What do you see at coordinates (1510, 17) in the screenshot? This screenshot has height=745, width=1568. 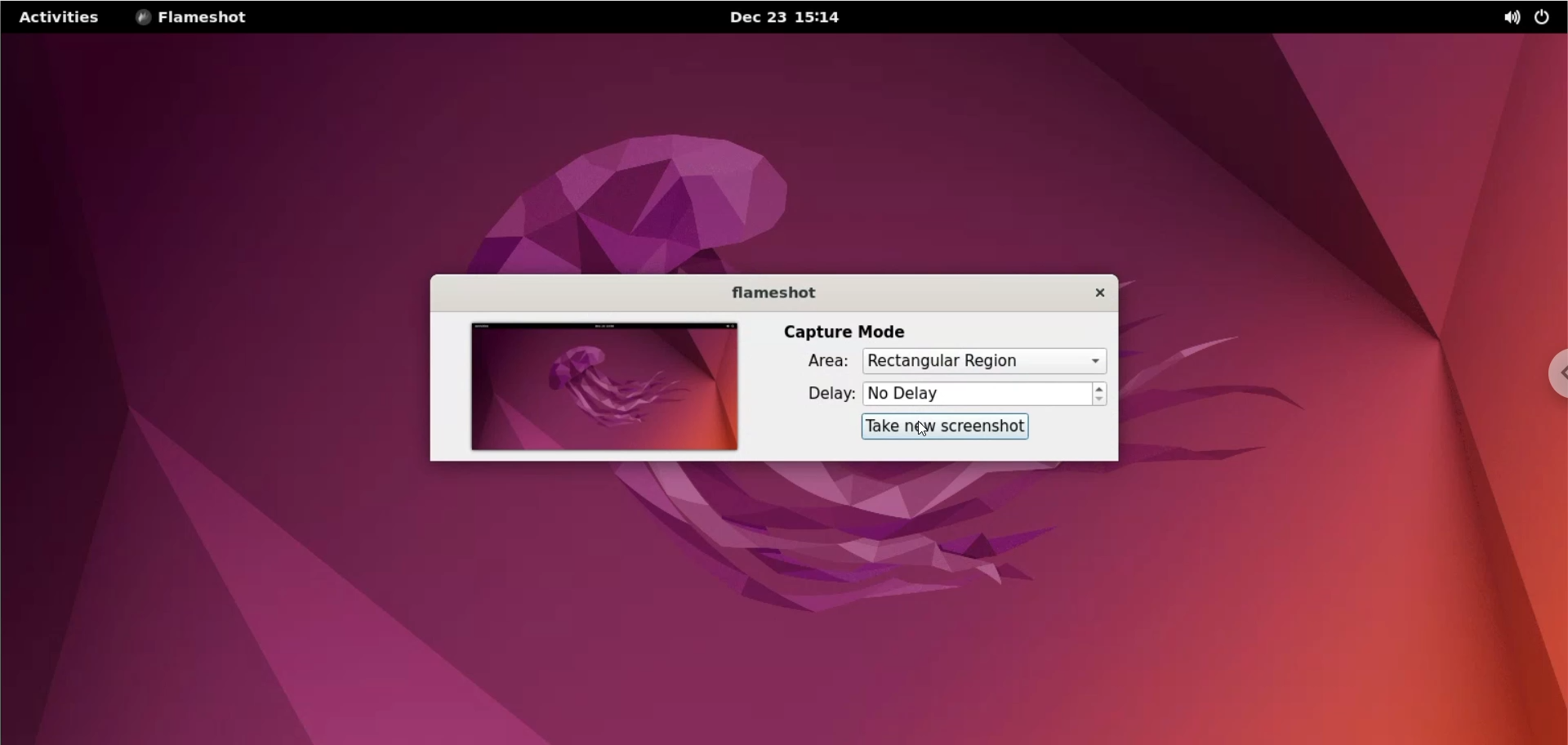 I see `sound options` at bounding box center [1510, 17].